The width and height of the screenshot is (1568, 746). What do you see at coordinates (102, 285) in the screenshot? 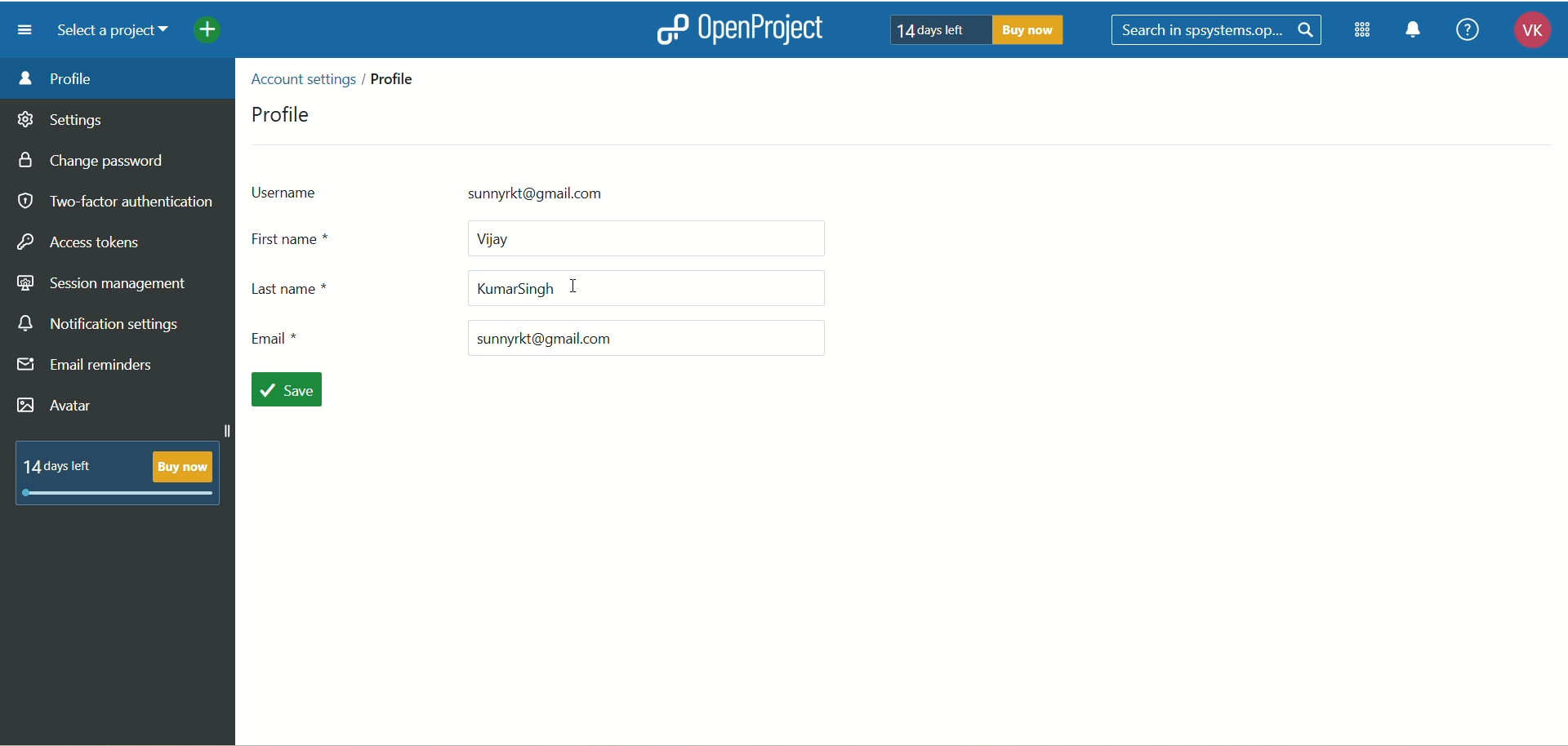
I see `session management` at bounding box center [102, 285].